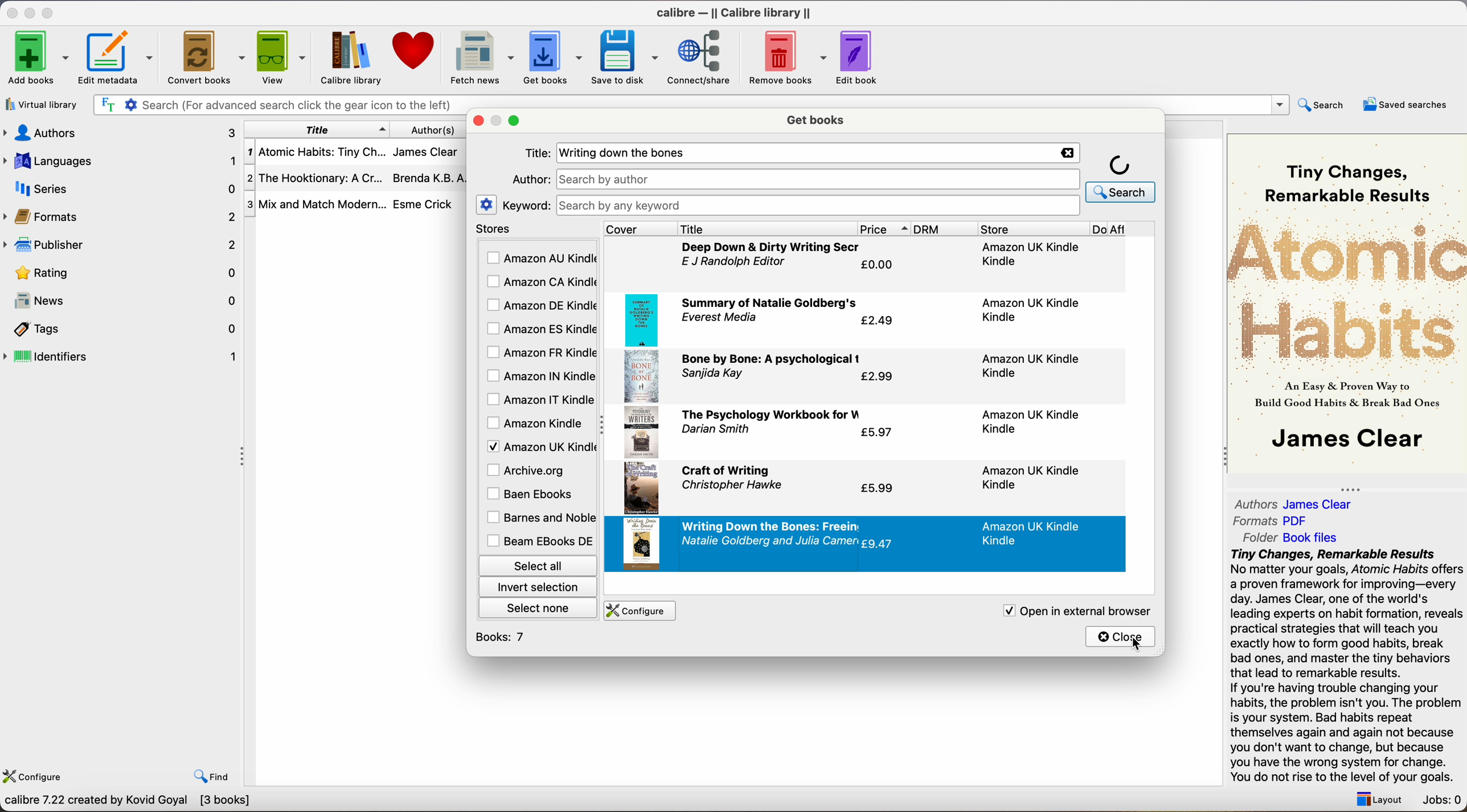  What do you see at coordinates (540, 351) in the screenshot?
I see `Amazon FR Kindle` at bounding box center [540, 351].